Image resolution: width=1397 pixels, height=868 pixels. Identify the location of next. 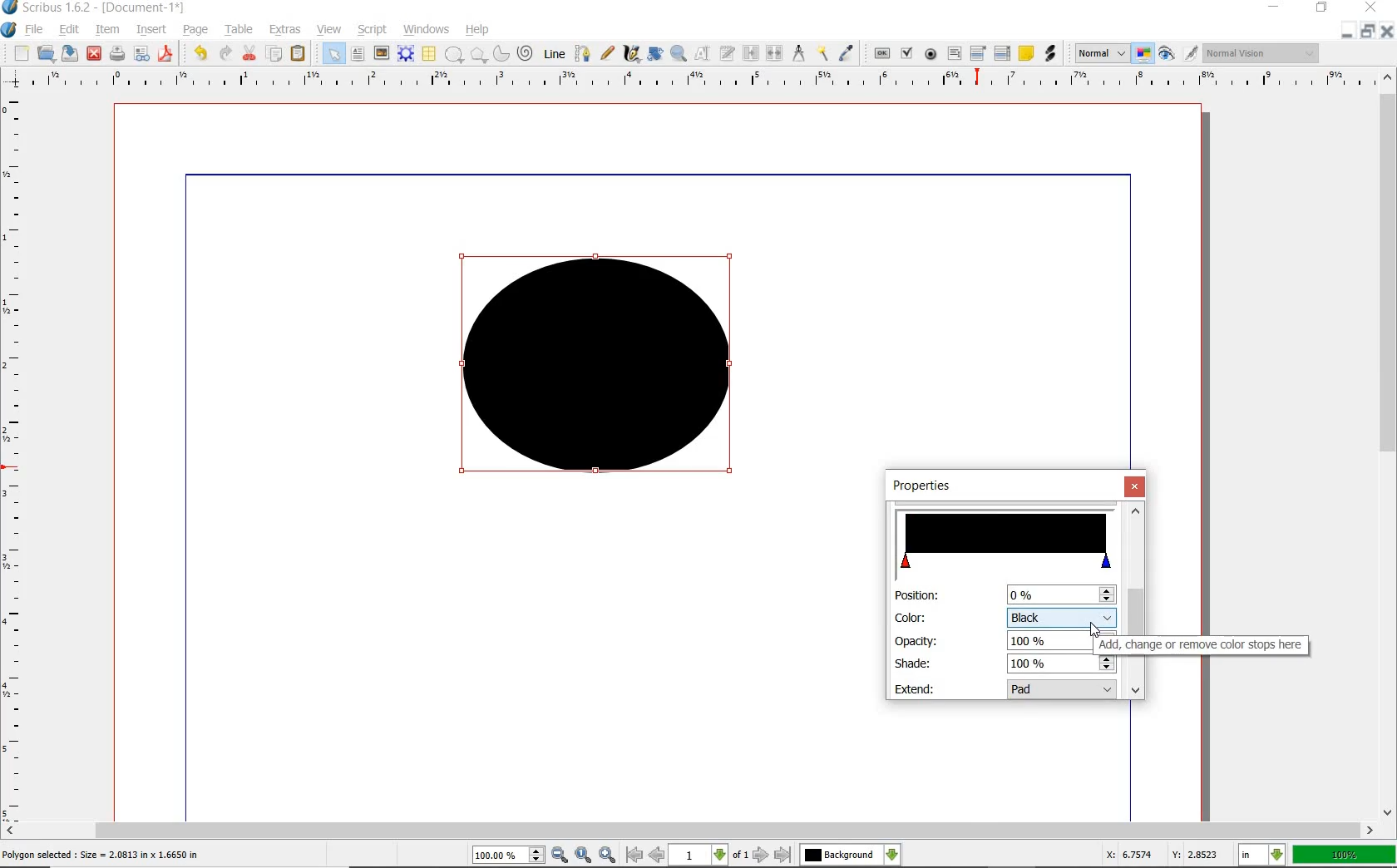
(761, 855).